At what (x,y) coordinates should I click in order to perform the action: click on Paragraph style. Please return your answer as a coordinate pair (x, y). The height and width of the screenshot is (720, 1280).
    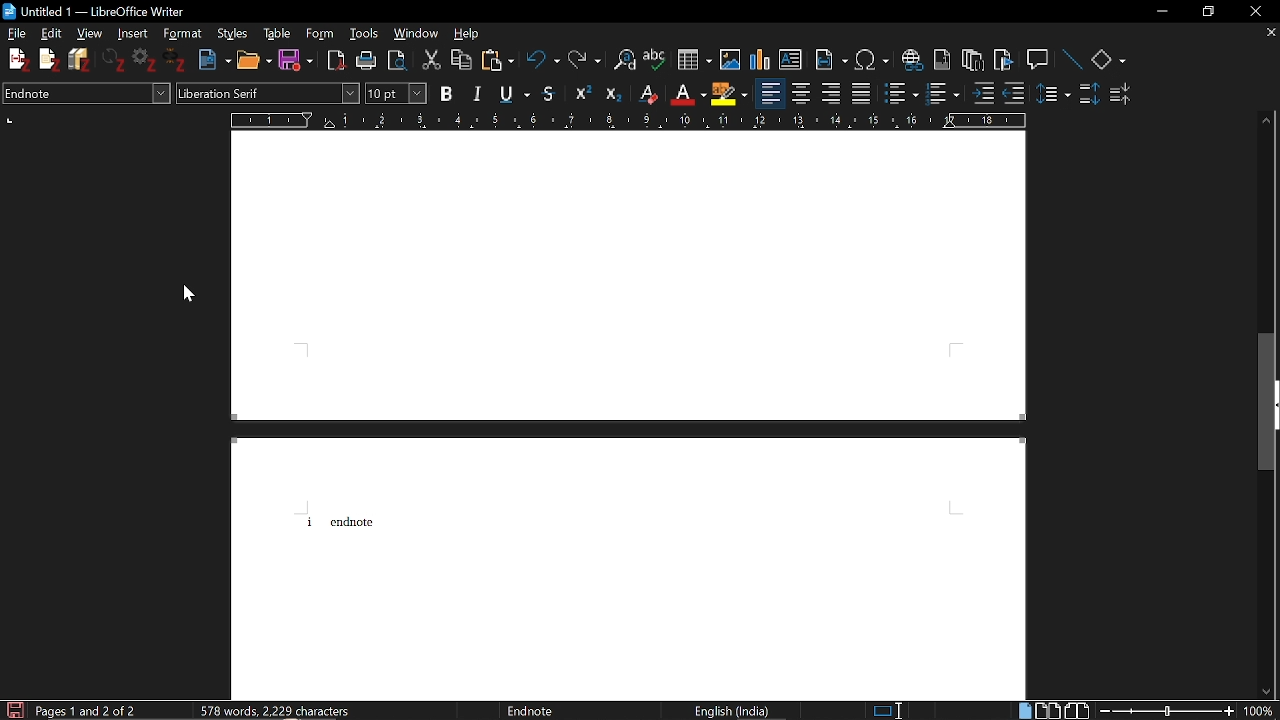
    Looking at the image, I should click on (86, 94).